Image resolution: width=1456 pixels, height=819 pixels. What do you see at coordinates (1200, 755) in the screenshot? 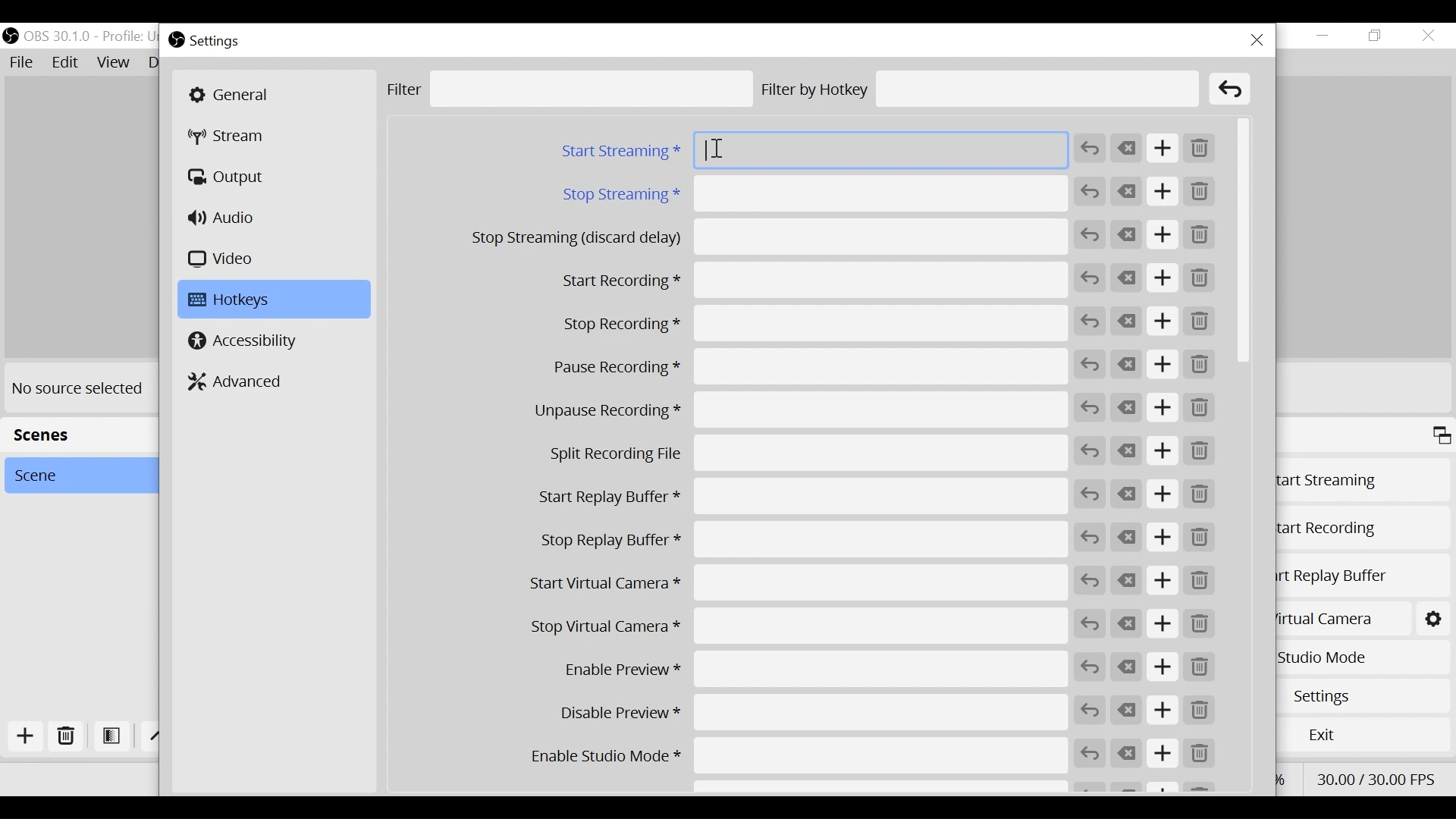
I see `Remove` at bounding box center [1200, 755].